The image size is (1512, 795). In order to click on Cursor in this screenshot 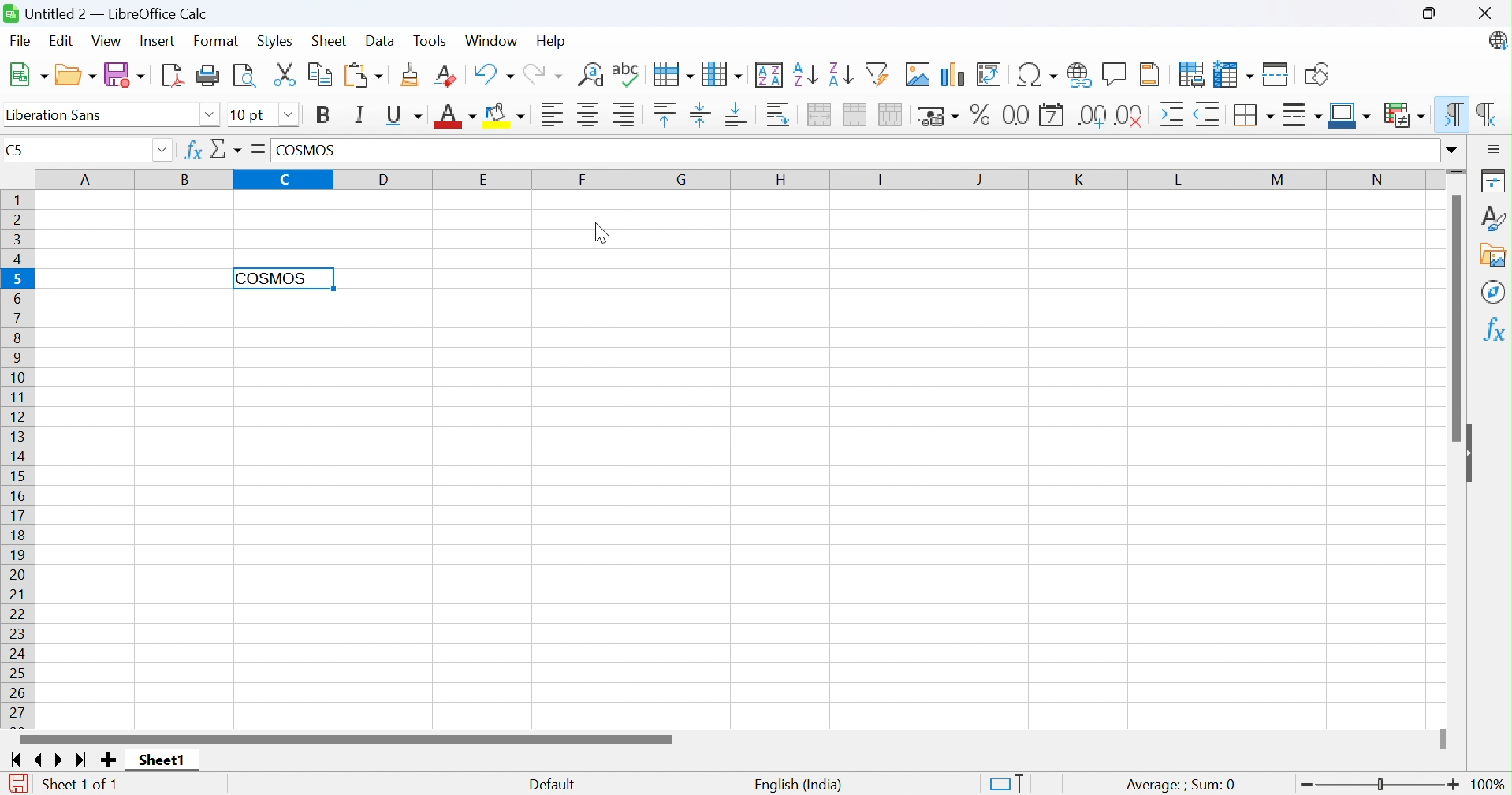, I will do `click(598, 233)`.